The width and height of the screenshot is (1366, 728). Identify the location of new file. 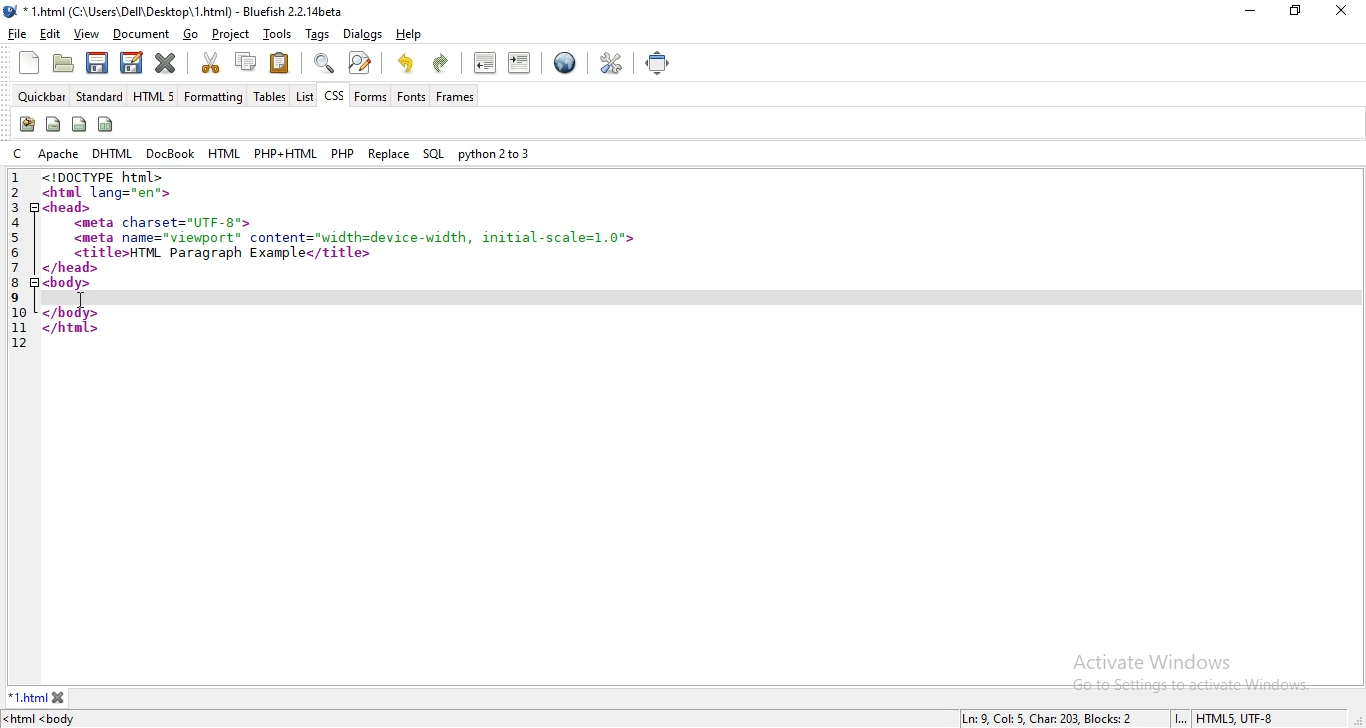
(31, 63).